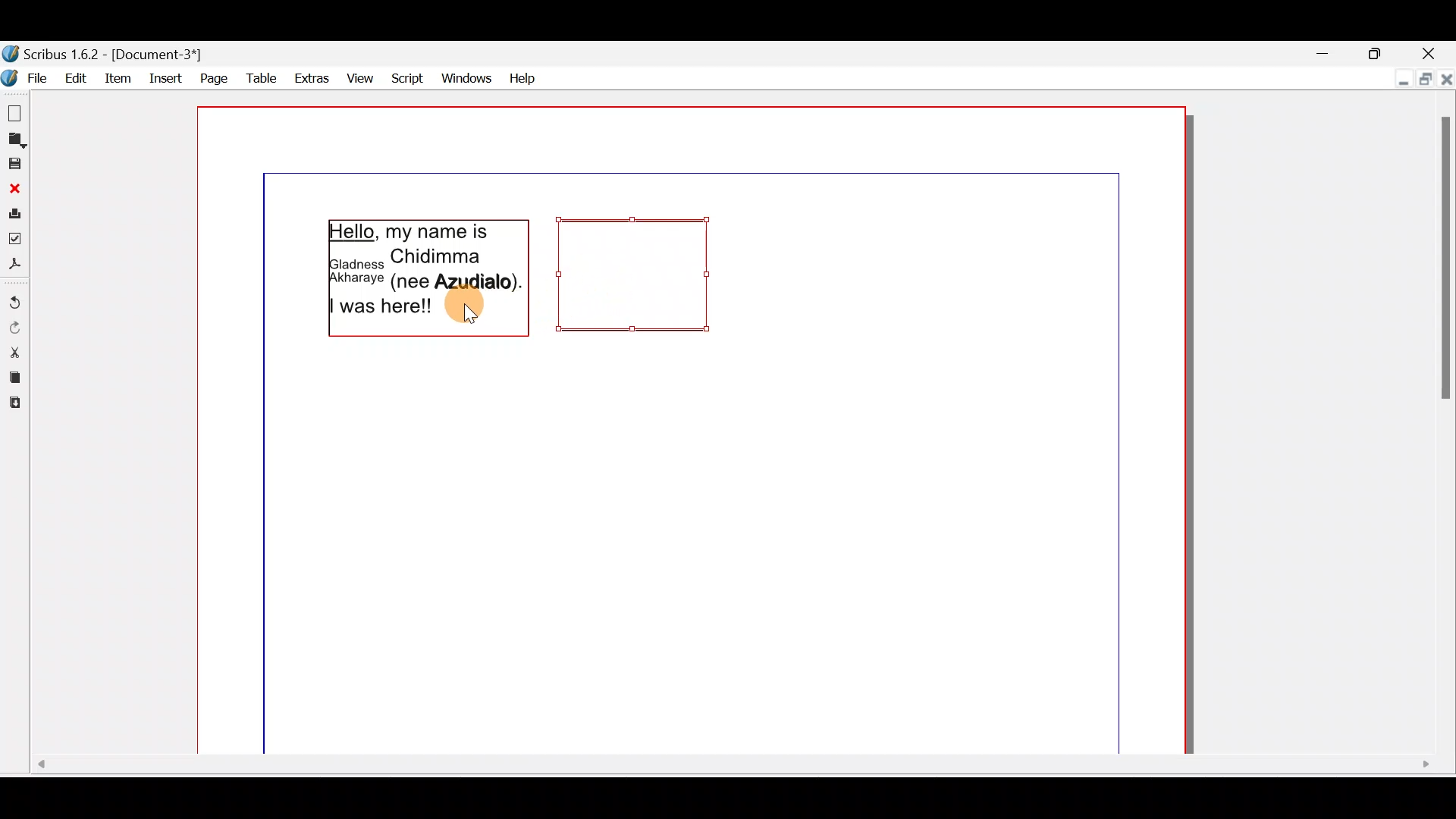 The image size is (1456, 819). What do you see at coordinates (14, 327) in the screenshot?
I see `Redo` at bounding box center [14, 327].